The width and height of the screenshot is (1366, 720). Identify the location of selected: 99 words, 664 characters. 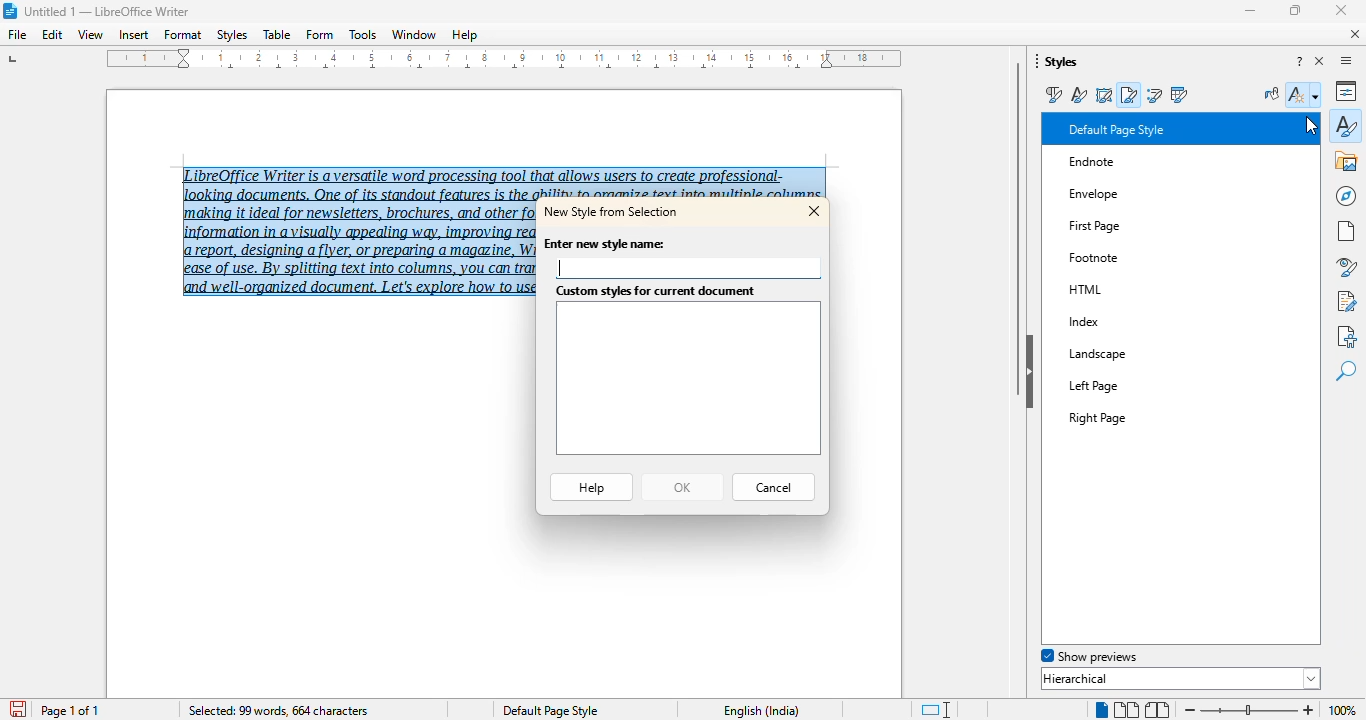
(277, 711).